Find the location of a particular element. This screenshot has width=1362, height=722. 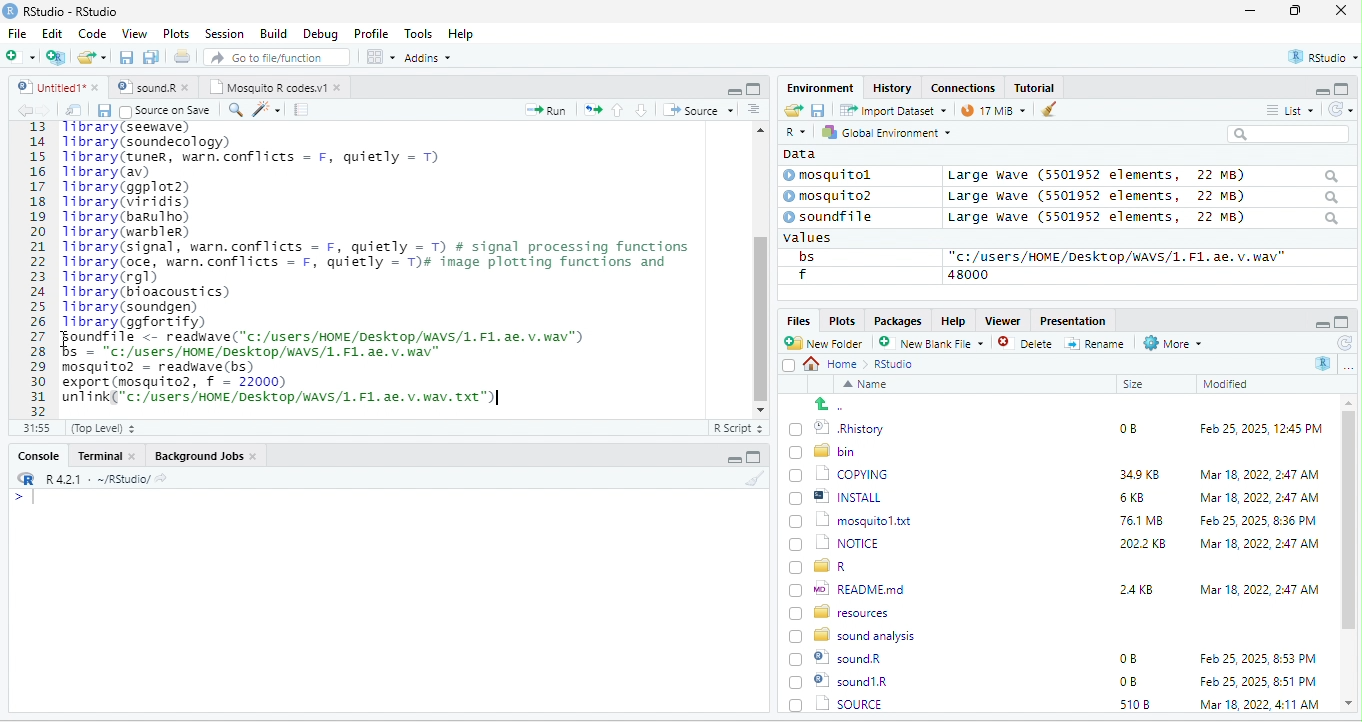

Files is located at coordinates (795, 320).